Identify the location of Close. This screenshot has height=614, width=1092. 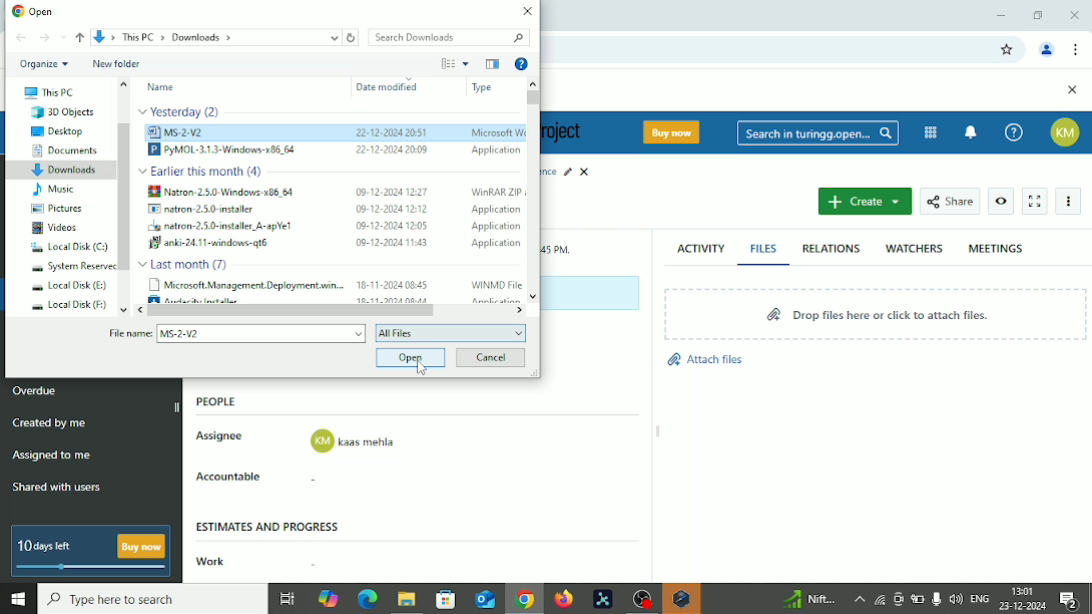
(1074, 16).